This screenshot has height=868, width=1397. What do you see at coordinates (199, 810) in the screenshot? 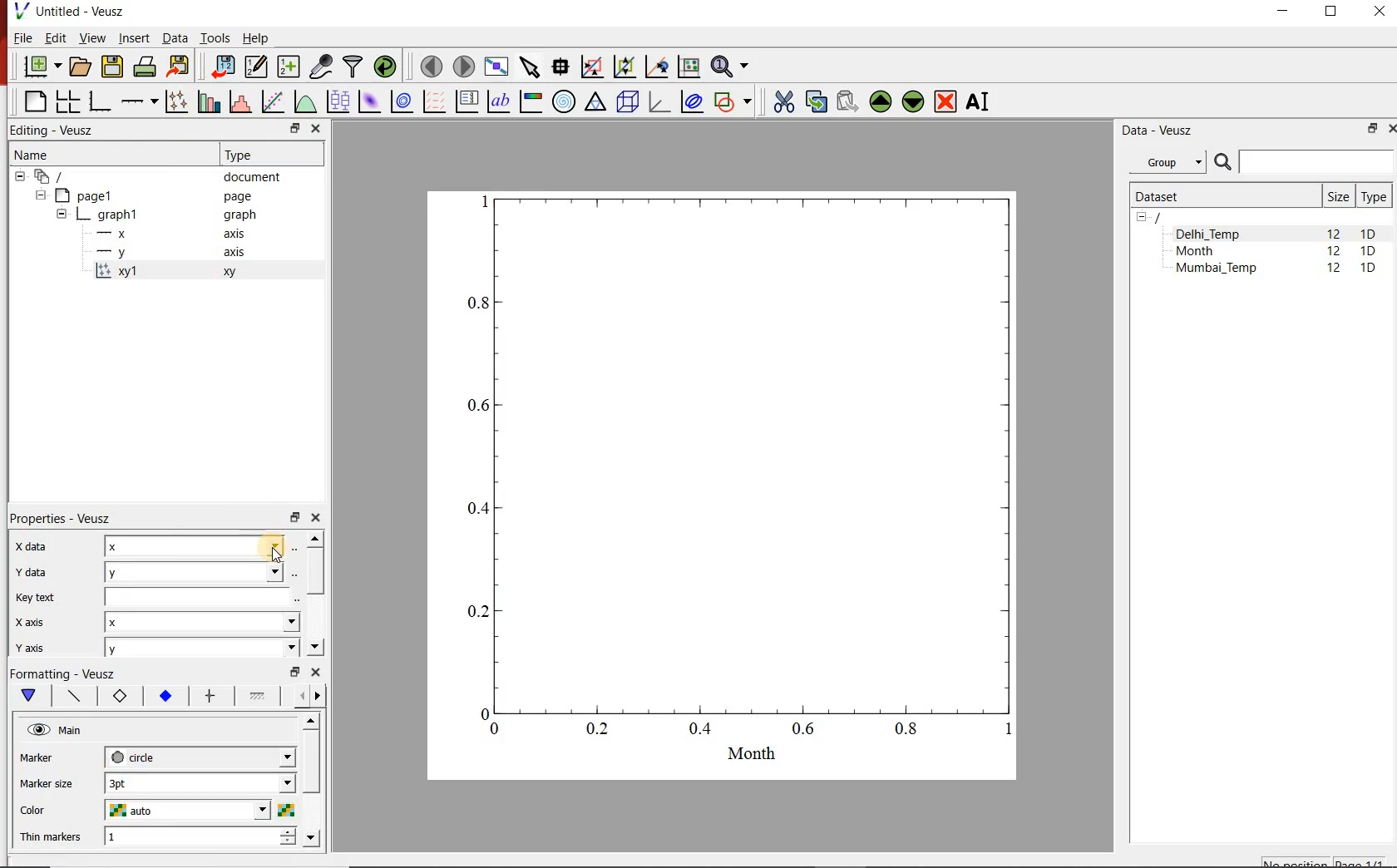
I see `auto` at bounding box center [199, 810].